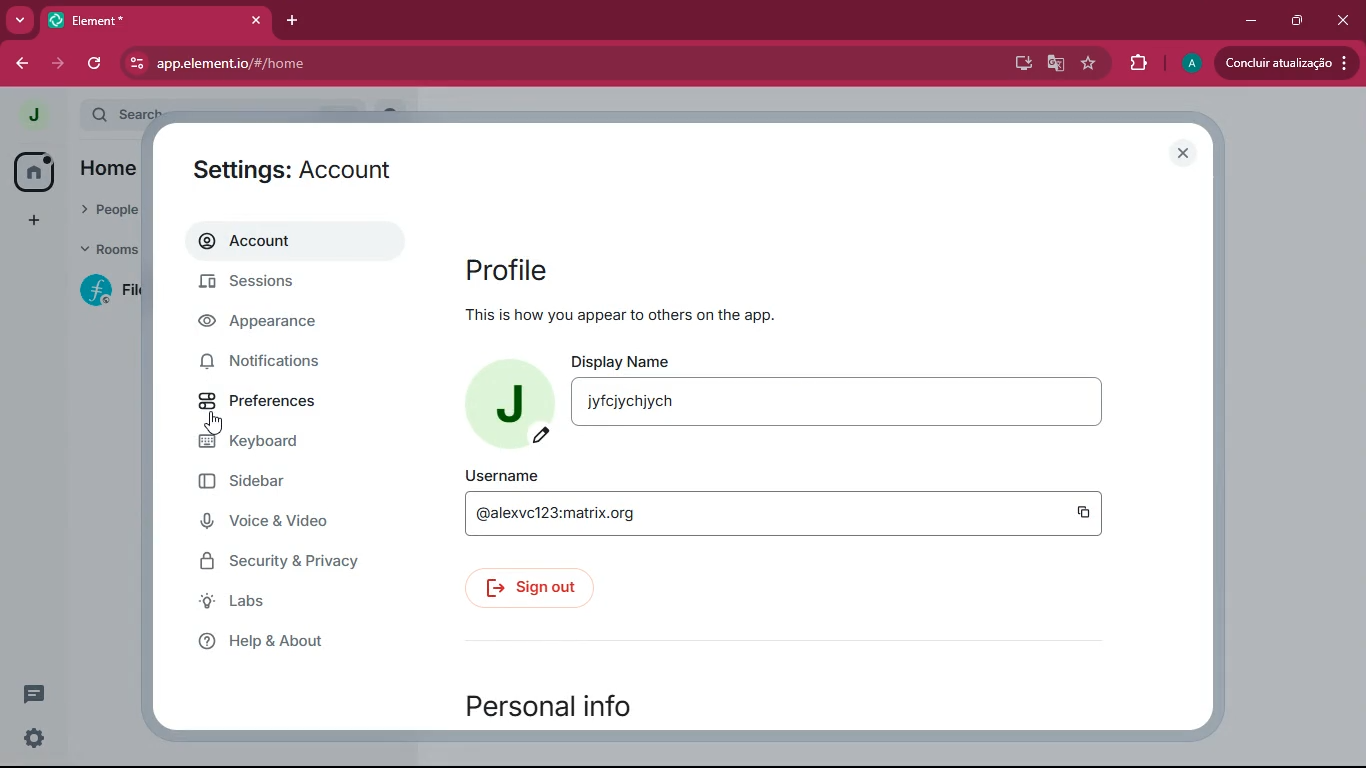 The image size is (1366, 768). Describe the element at coordinates (295, 20) in the screenshot. I see `add tab` at that location.